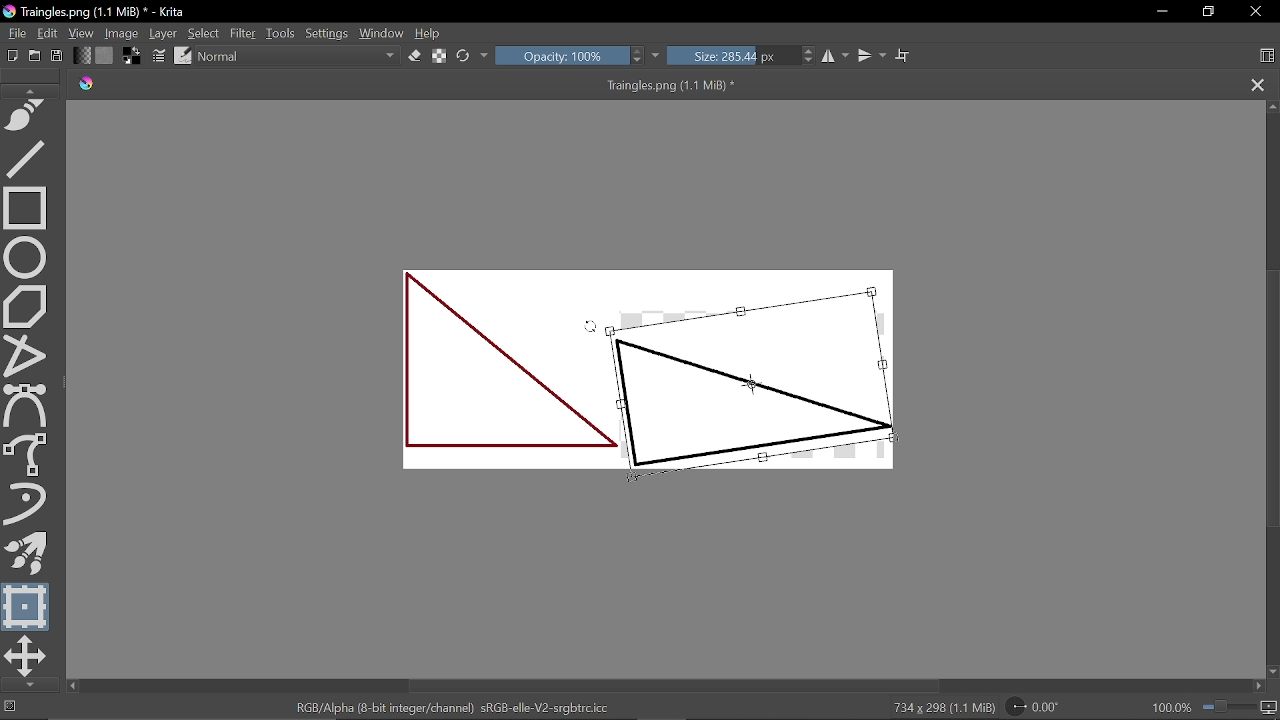 The width and height of the screenshot is (1280, 720). Describe the element at coordinates (1259, 12) in the screenshot. I see `Close` at that location.